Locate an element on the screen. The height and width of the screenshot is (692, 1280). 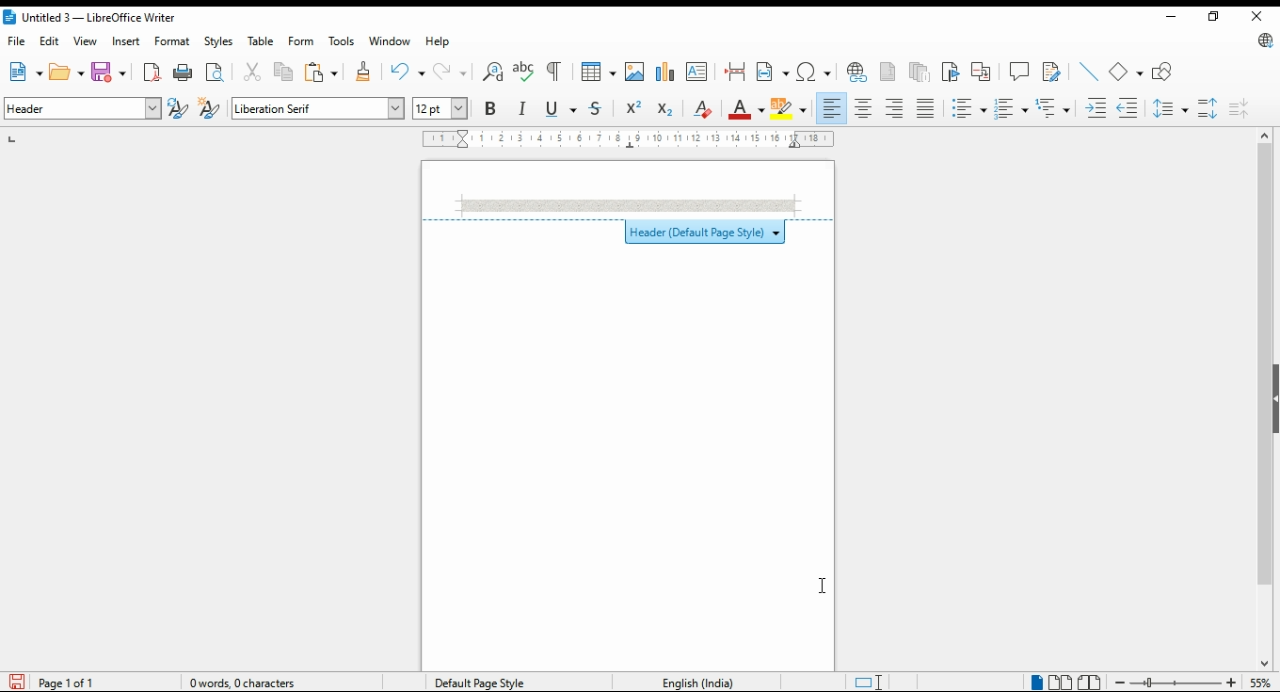
increase paragraph spacing is located at coordinates (1208, 108).